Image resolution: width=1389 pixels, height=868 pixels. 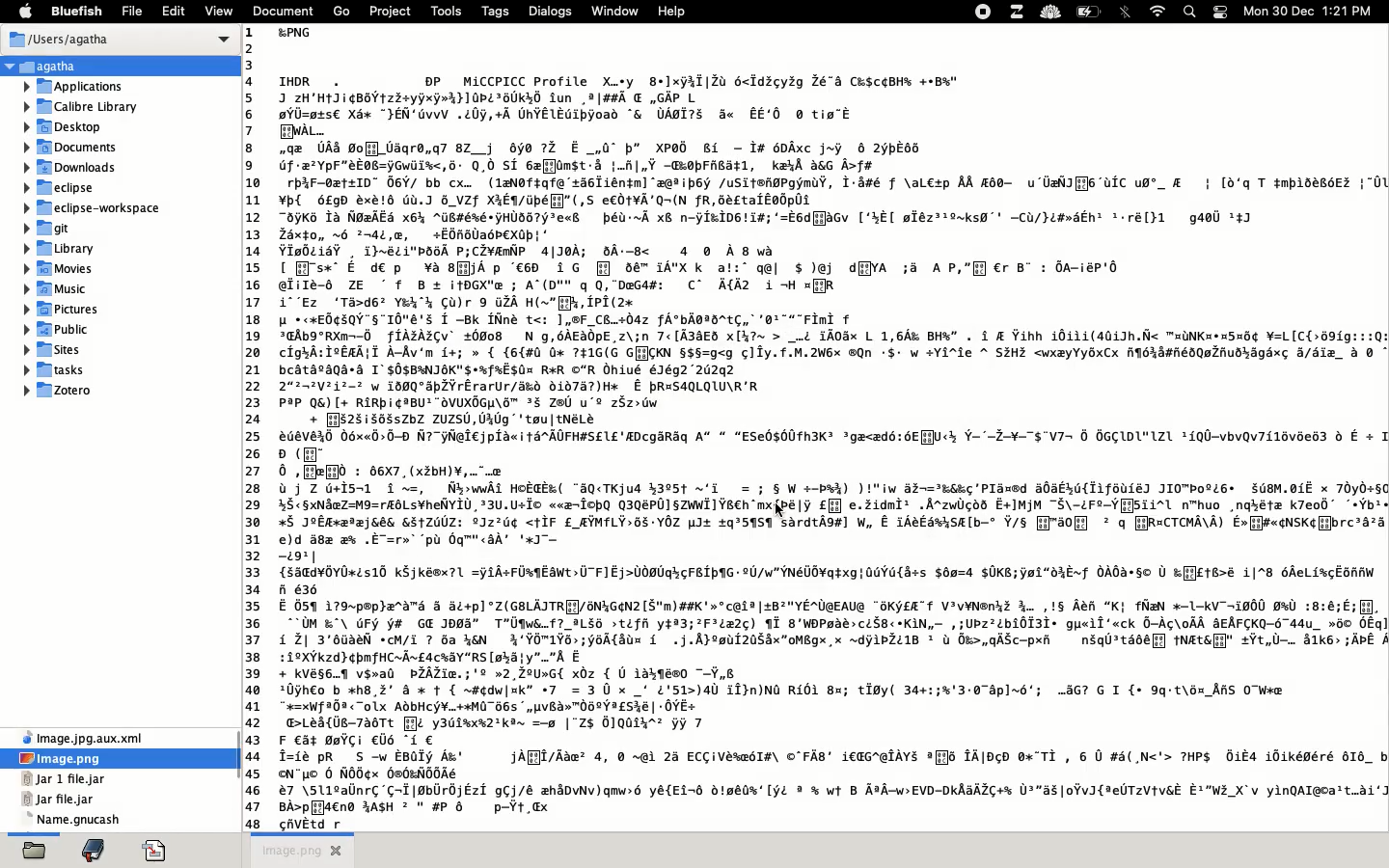 I want to click on users Agatha, so click(x=122, y=42).